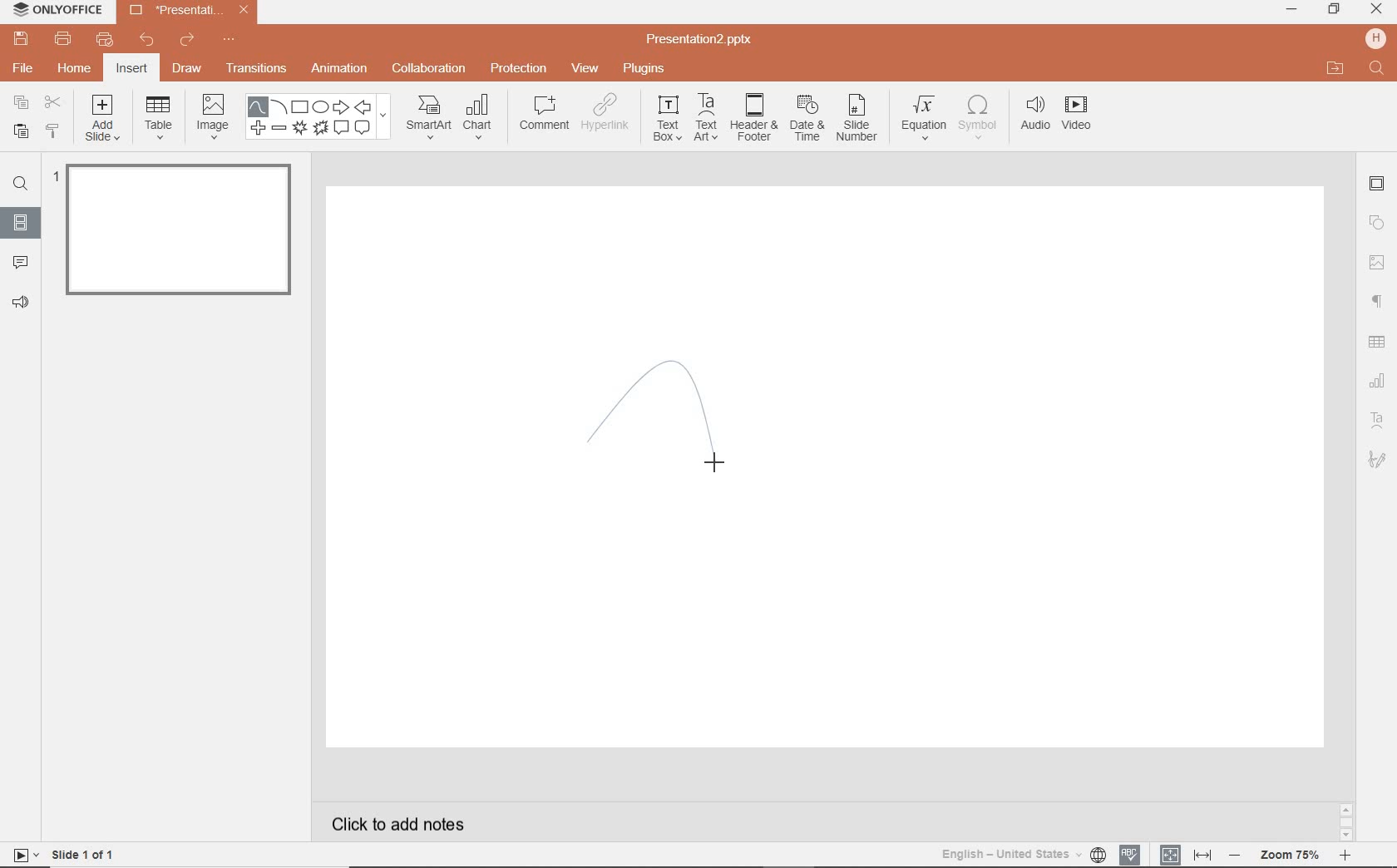 The image size is (1397, 868). Describe the element at coordinates (1374, 37) in the screenshot. I see `HP` at that location.